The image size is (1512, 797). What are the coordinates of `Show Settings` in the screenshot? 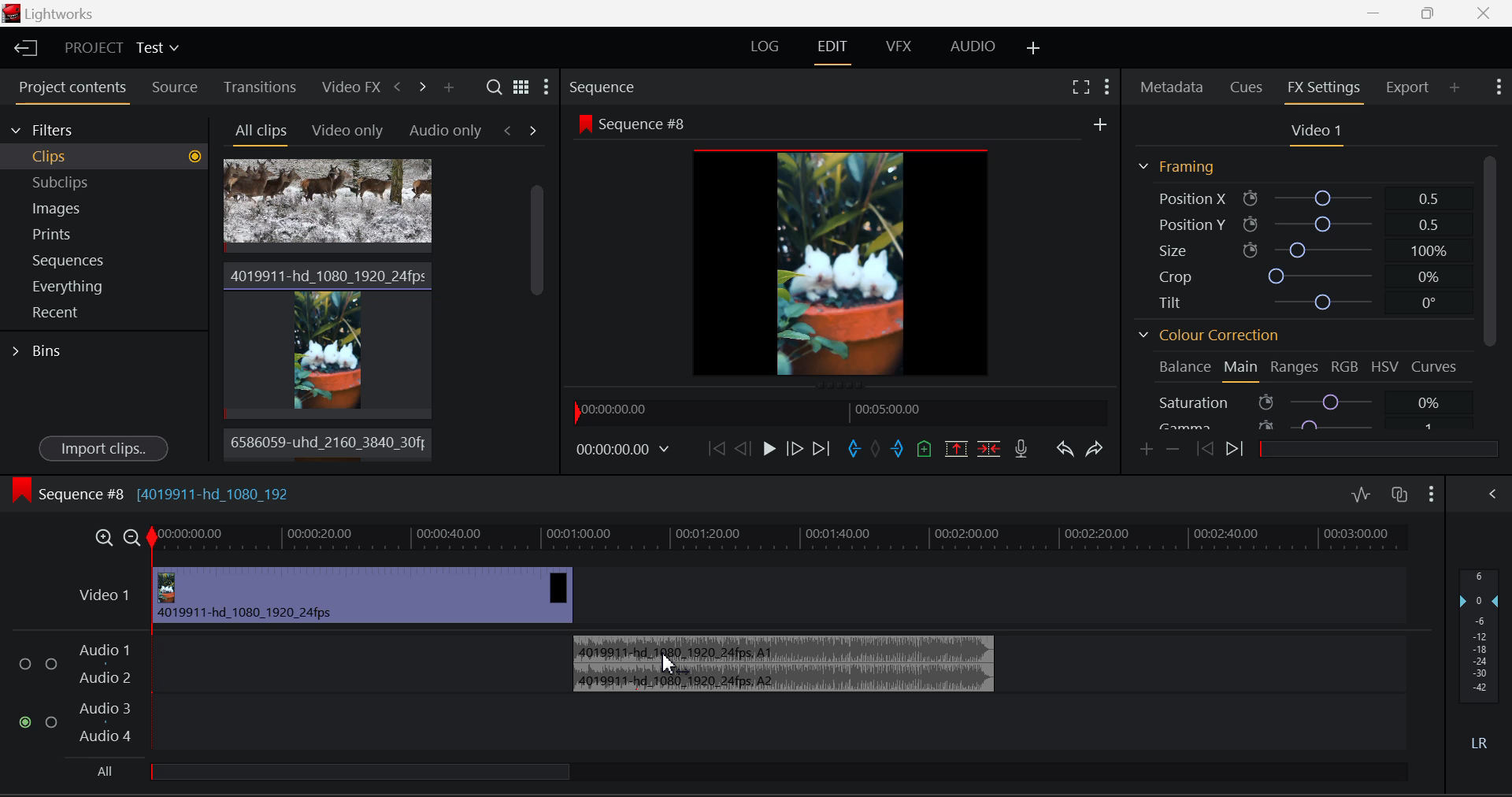 It's located at (1432, 492).